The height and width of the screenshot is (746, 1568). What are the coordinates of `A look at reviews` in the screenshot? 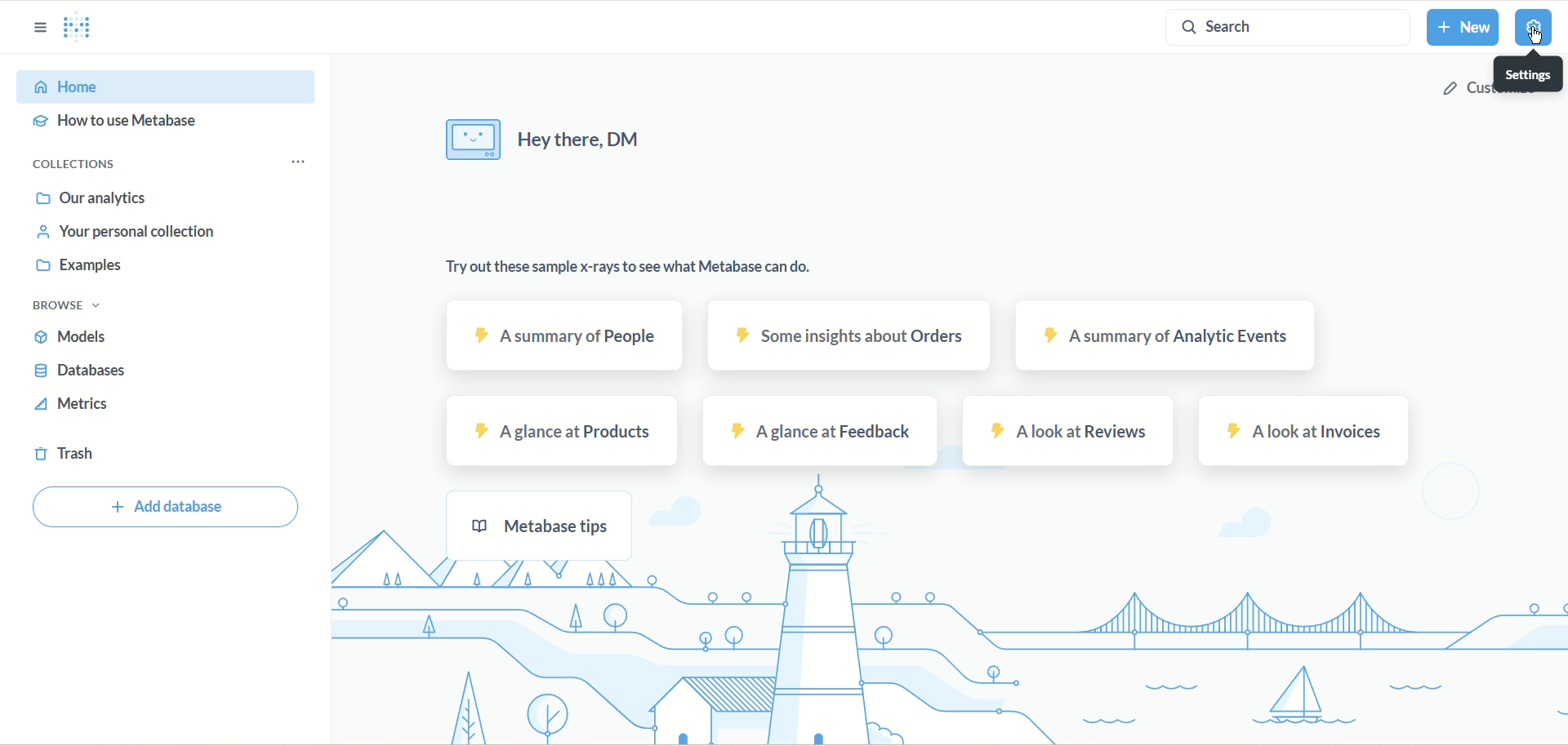 It's located at (1071, 433).